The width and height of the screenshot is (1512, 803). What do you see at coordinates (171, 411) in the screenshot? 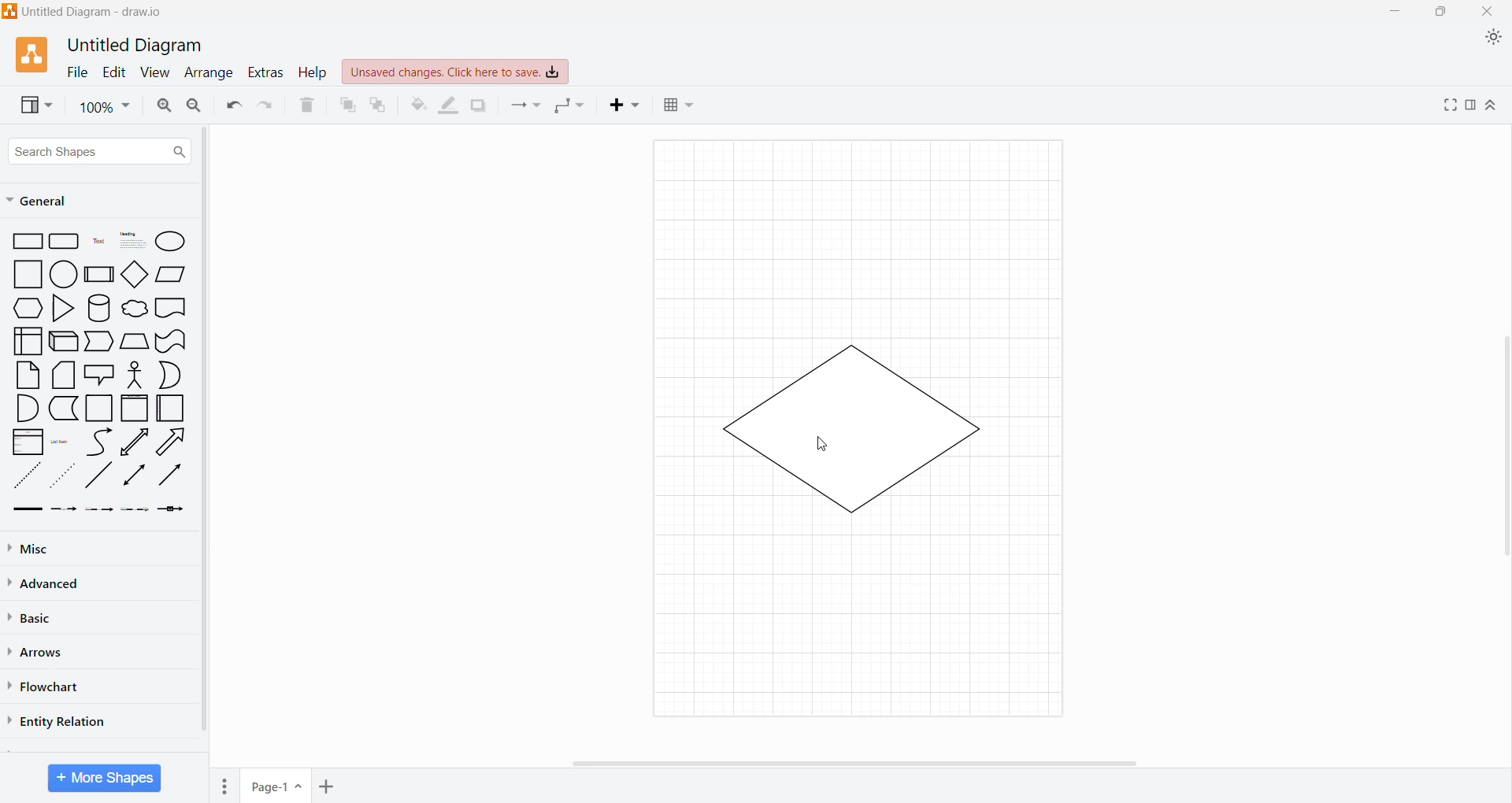
I see `Horizontal Container` at bounding box center [171, 411].